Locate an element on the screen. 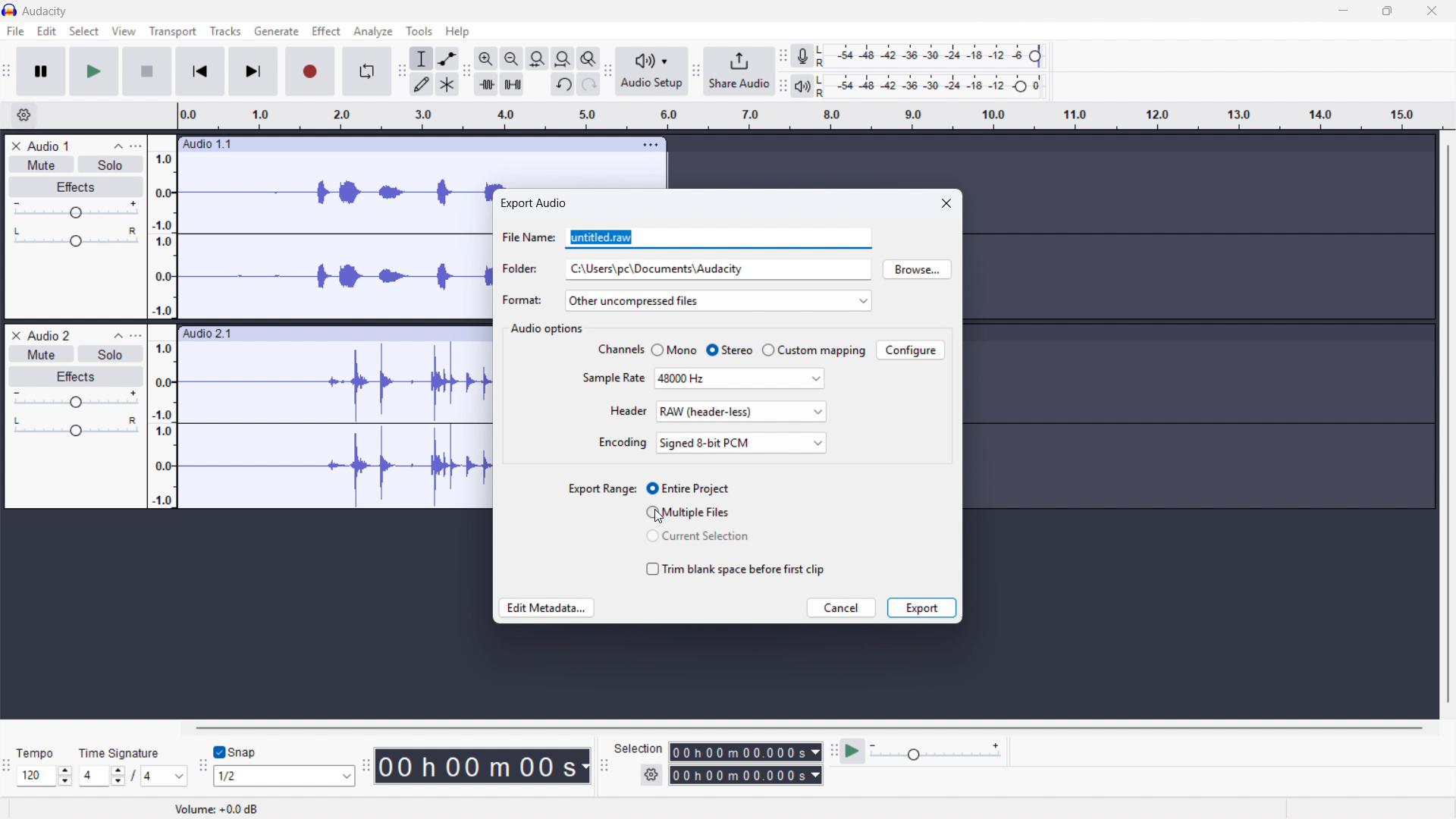 The width and height of the screenshot is (1456, 819). fit project to width is located at coordinates (563, 58).